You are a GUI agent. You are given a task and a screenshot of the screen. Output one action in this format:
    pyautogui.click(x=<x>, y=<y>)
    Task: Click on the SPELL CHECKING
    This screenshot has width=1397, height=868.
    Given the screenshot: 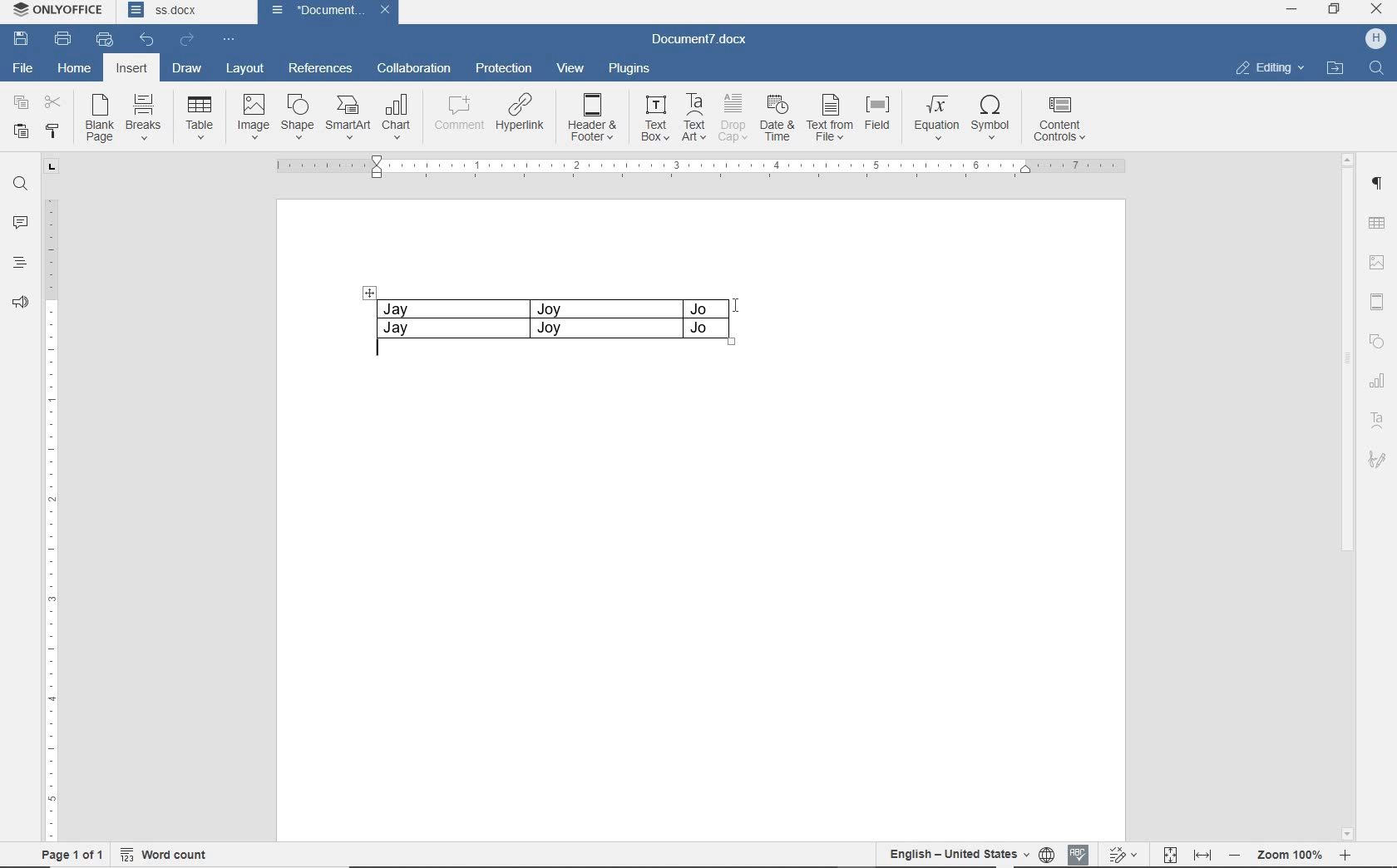 What is the action you would take?
    pyautogui.click(x=1080, y=852)
    